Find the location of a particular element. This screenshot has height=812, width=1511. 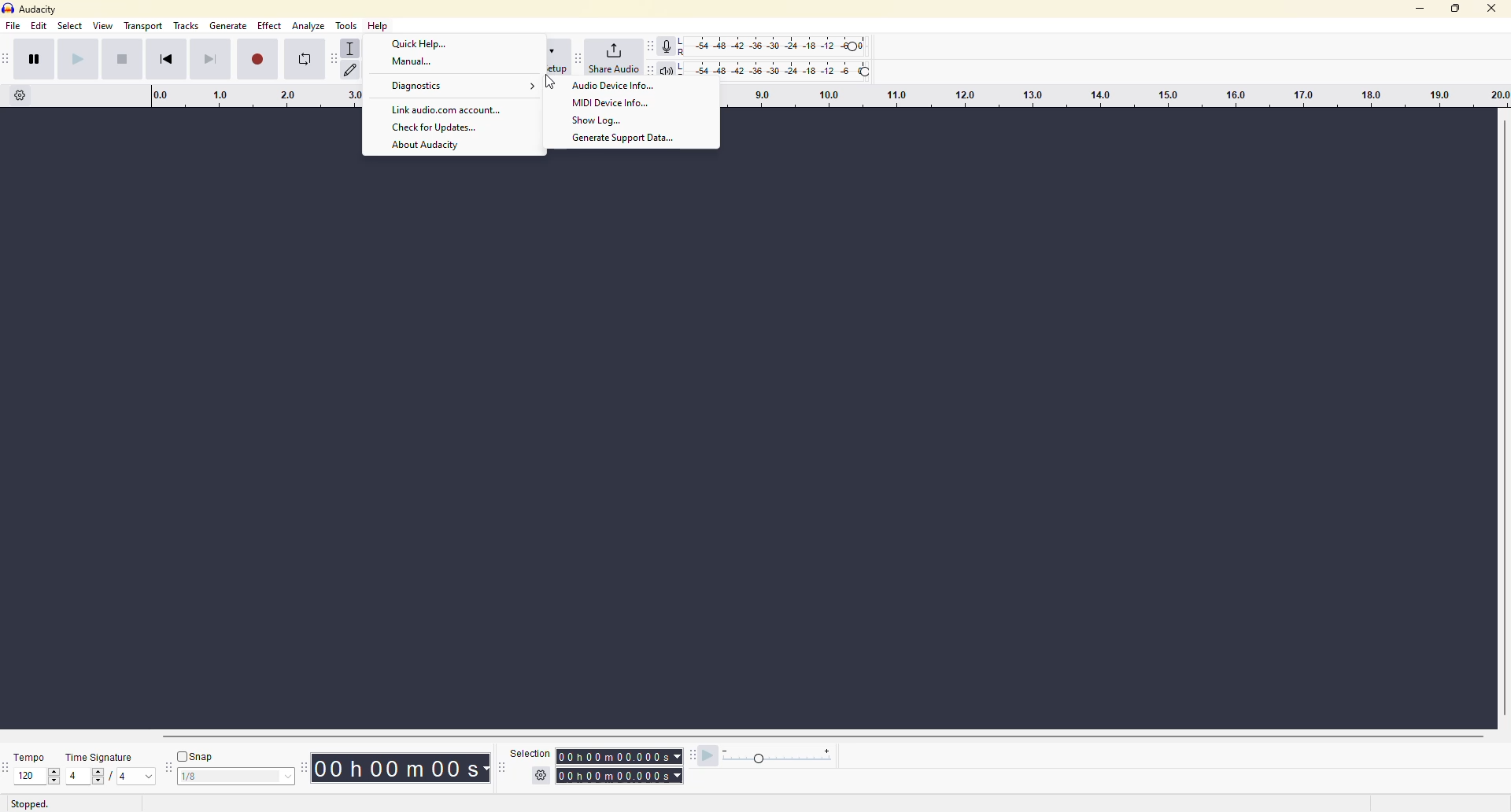

cursor is located at coordinates (552, 83).